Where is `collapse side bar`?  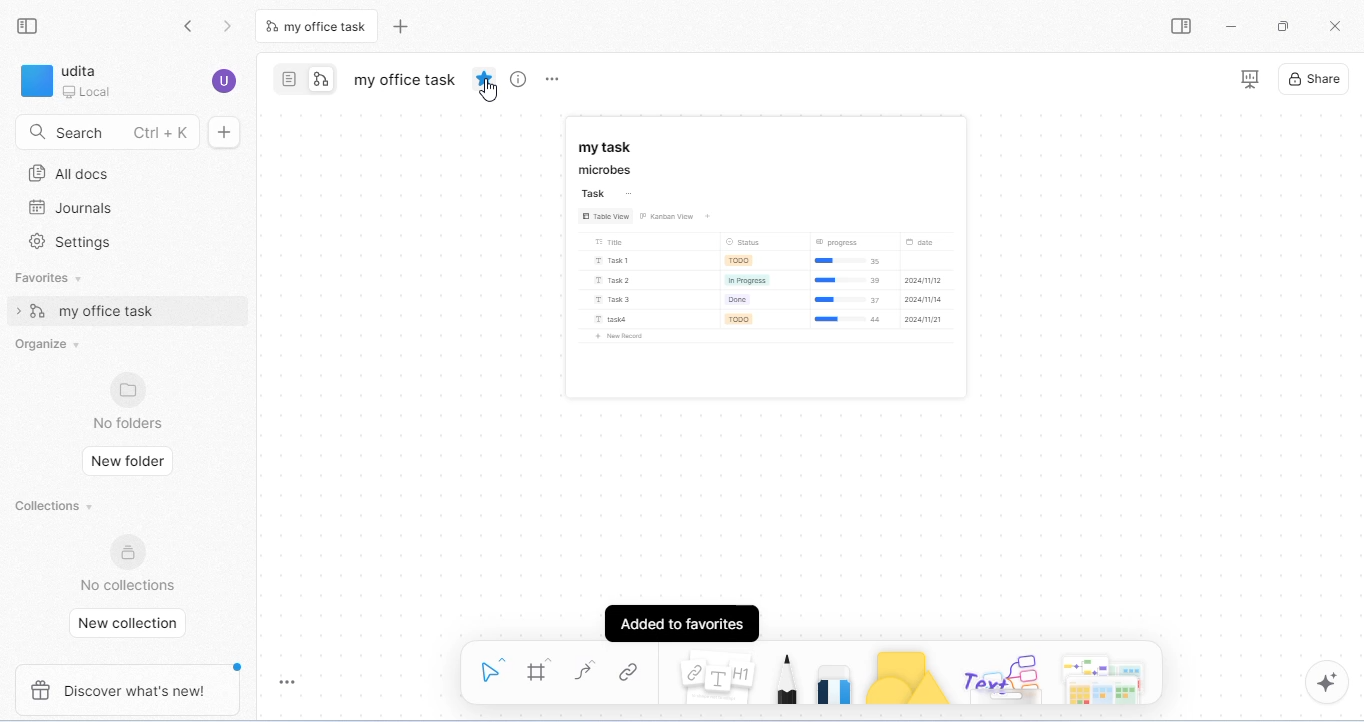
collapse side bar is located at coordinates (31, 28).